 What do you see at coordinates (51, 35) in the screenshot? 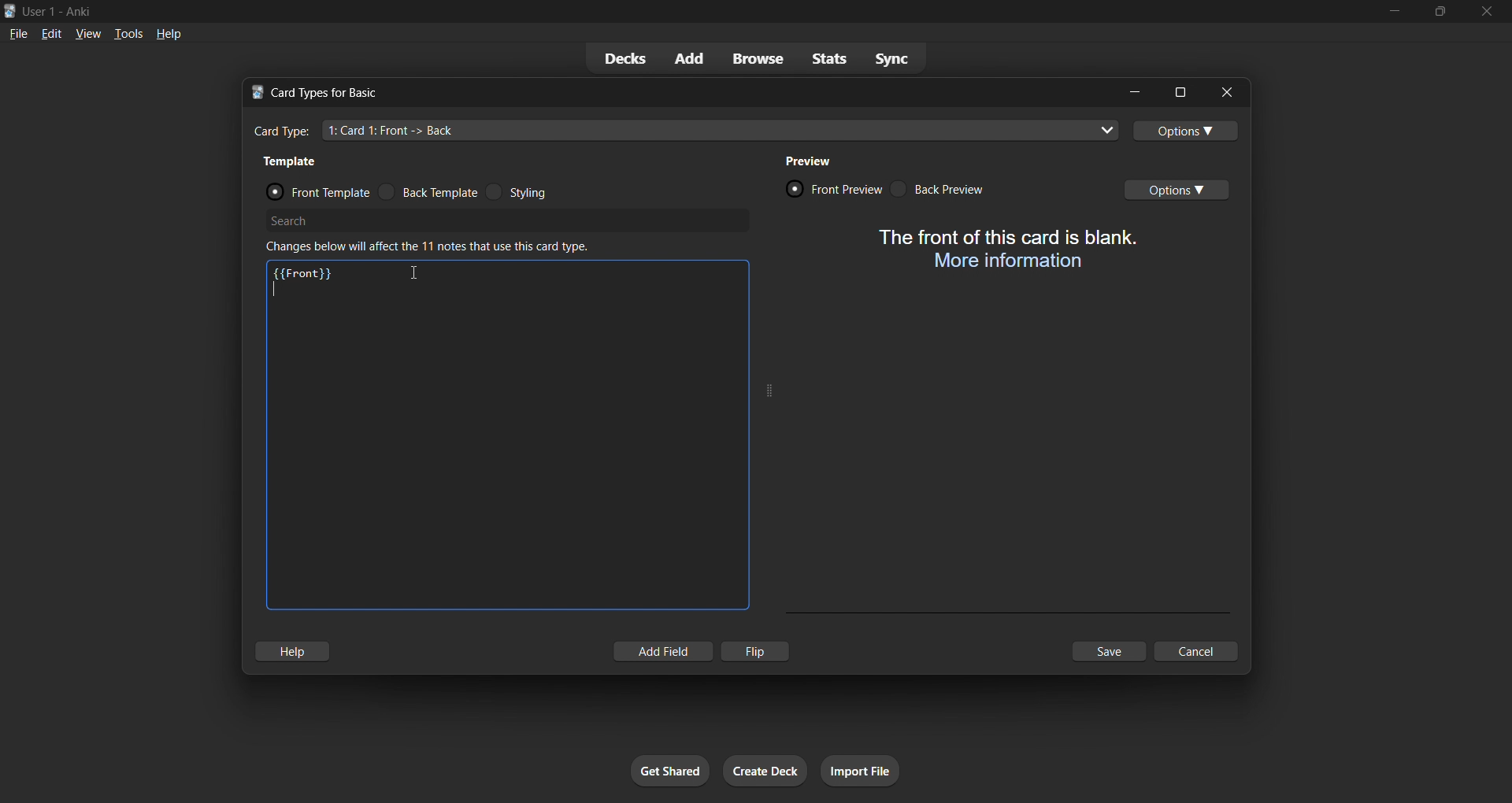
I see `edit` at bounding box center [51, 35].